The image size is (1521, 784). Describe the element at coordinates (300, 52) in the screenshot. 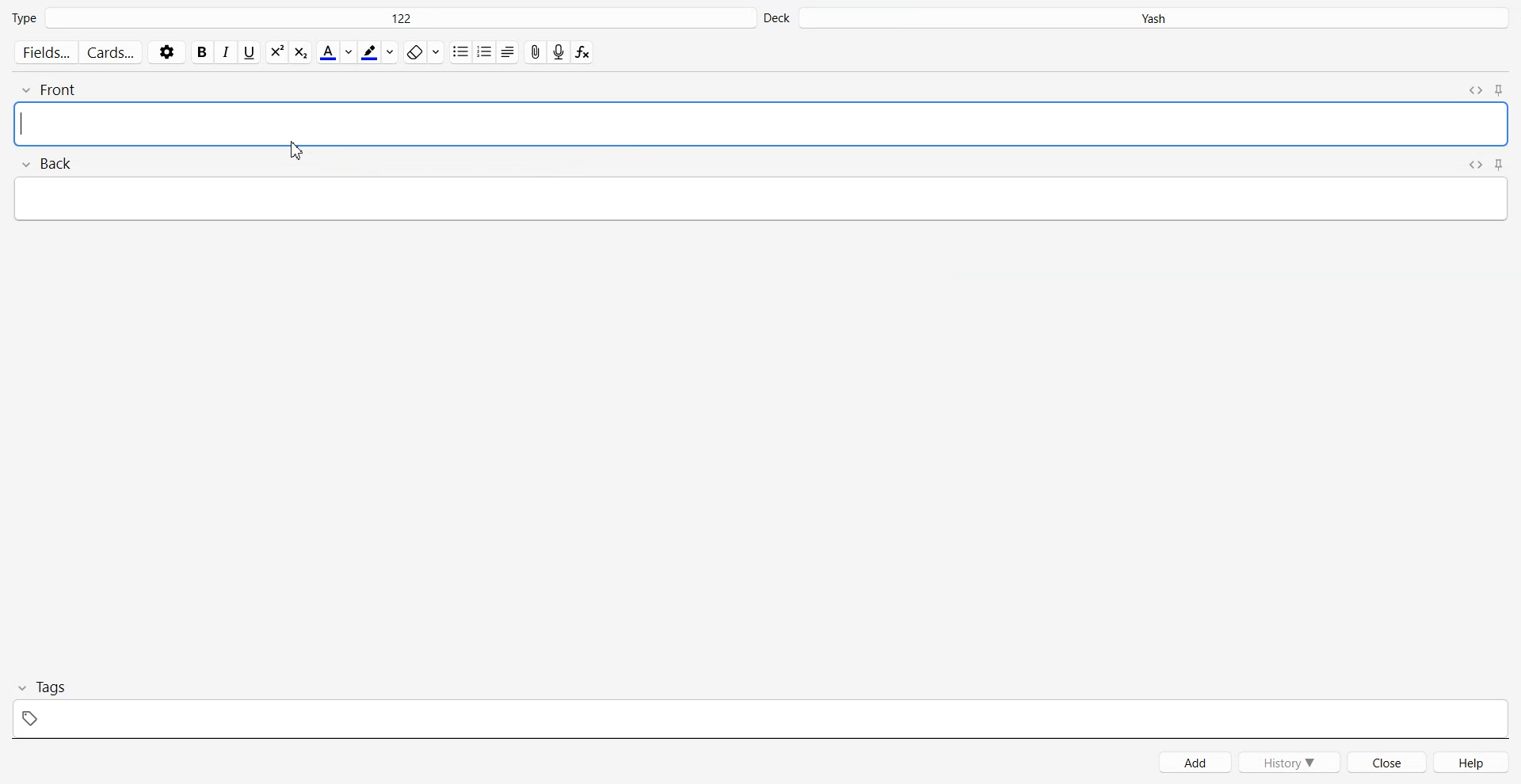

I see `Superscript` at that location.